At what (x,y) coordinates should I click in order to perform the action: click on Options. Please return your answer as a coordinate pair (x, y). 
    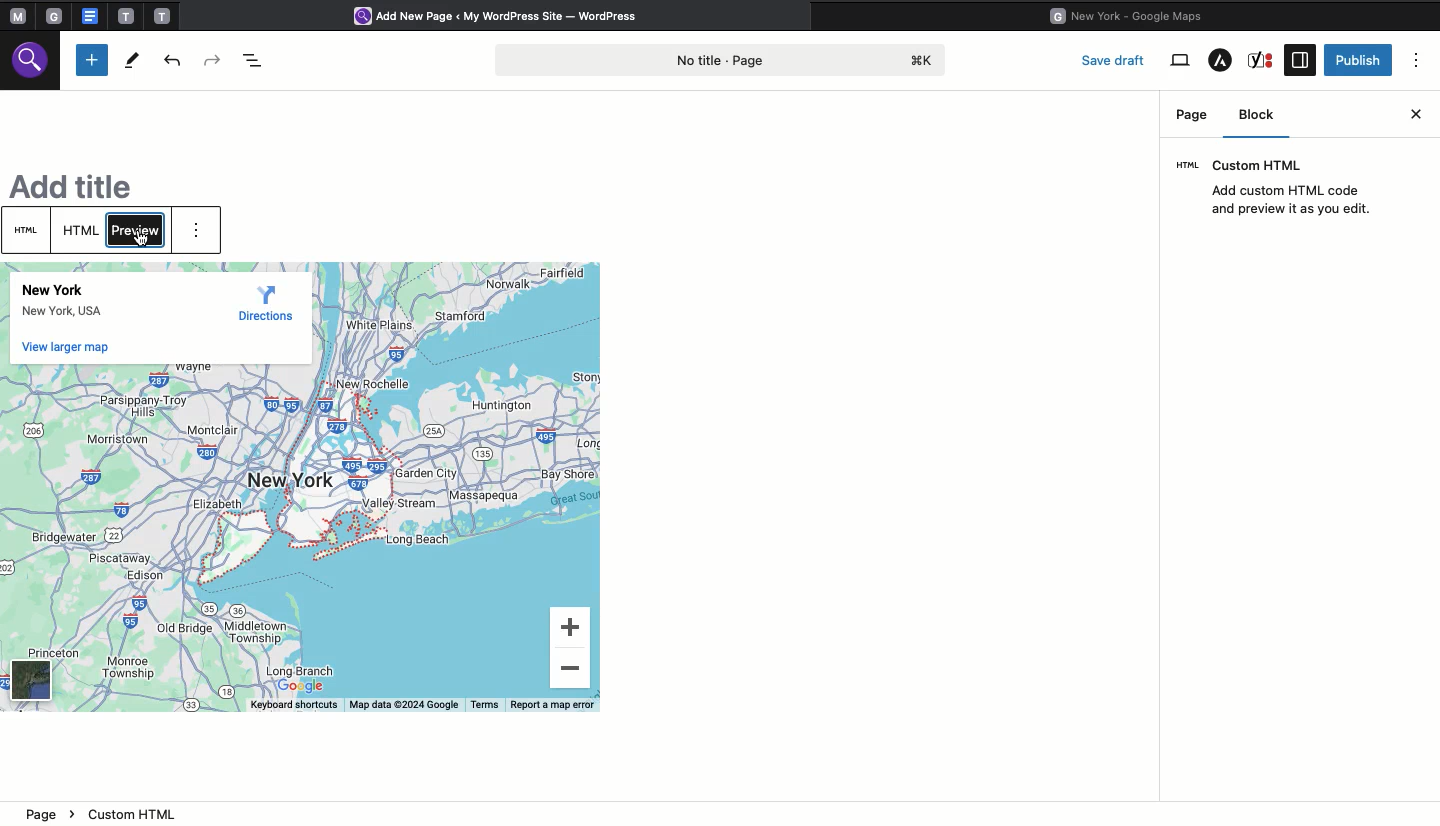
    Looking at the image, I should click on (1418, 60).